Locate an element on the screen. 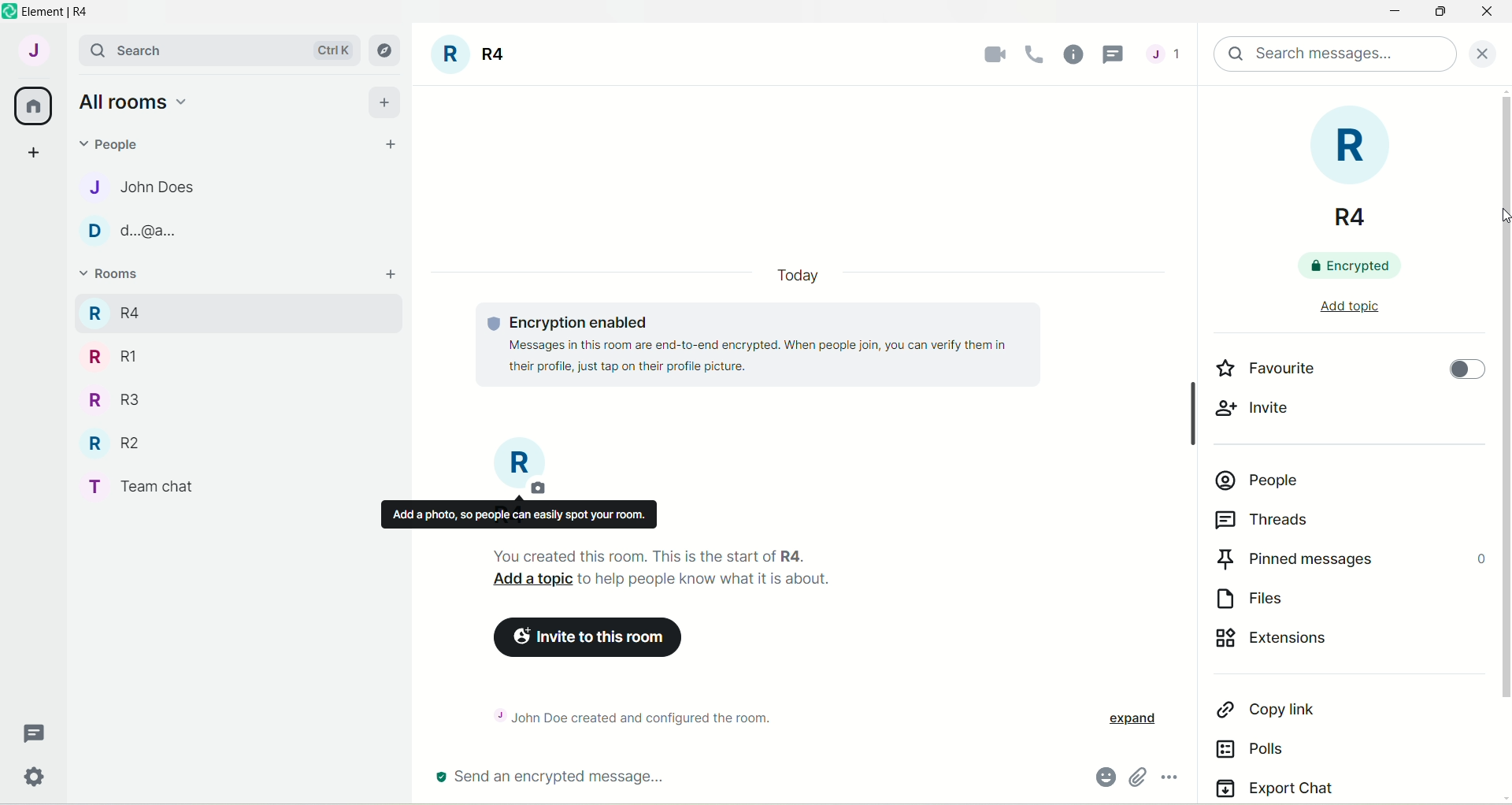 Image resolution: width=1512 pixels, height=805 pixels. add topic is located at coordinates (1347, 306).